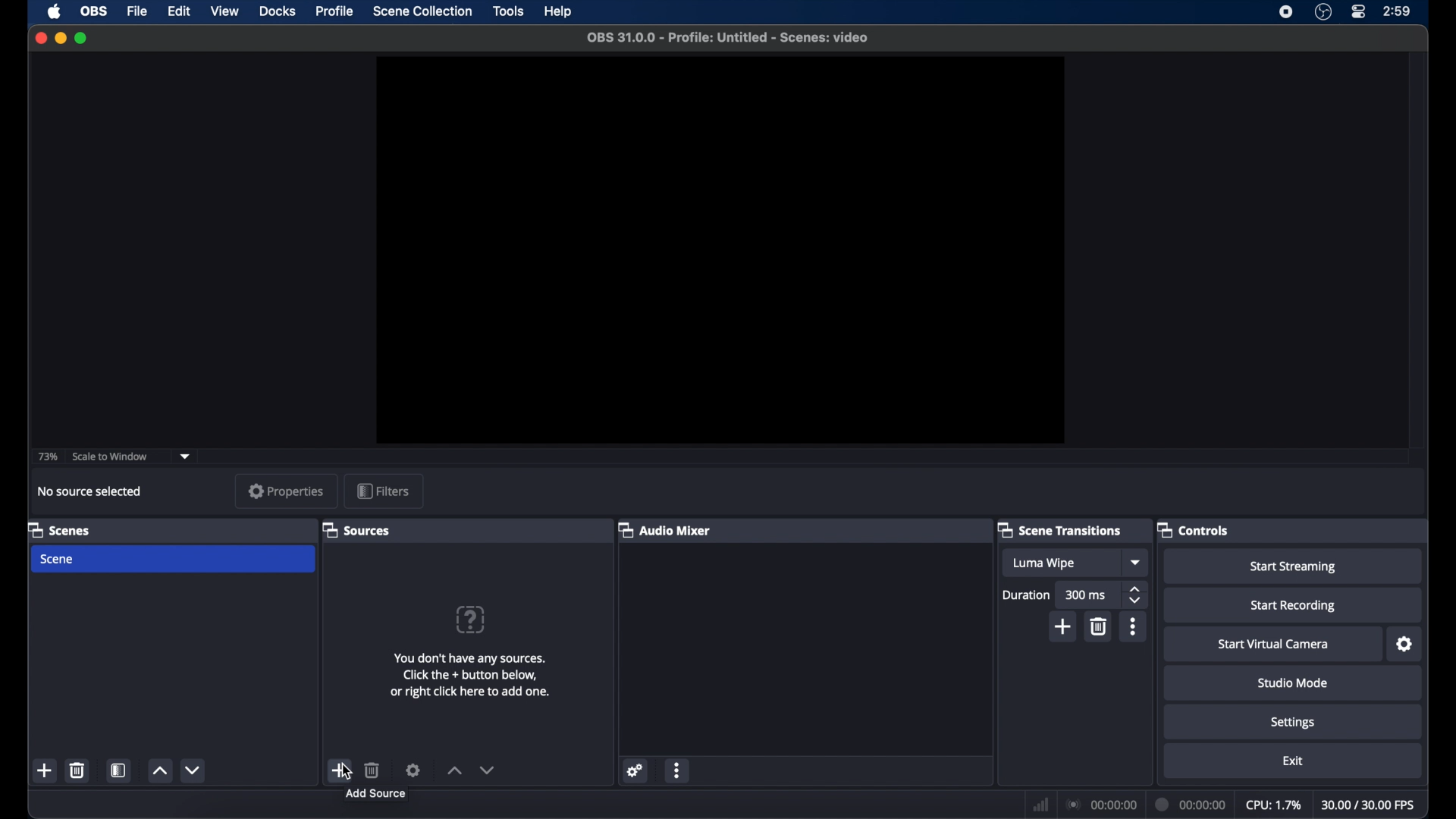  I want to click on audio mixer, so click(665, 529).